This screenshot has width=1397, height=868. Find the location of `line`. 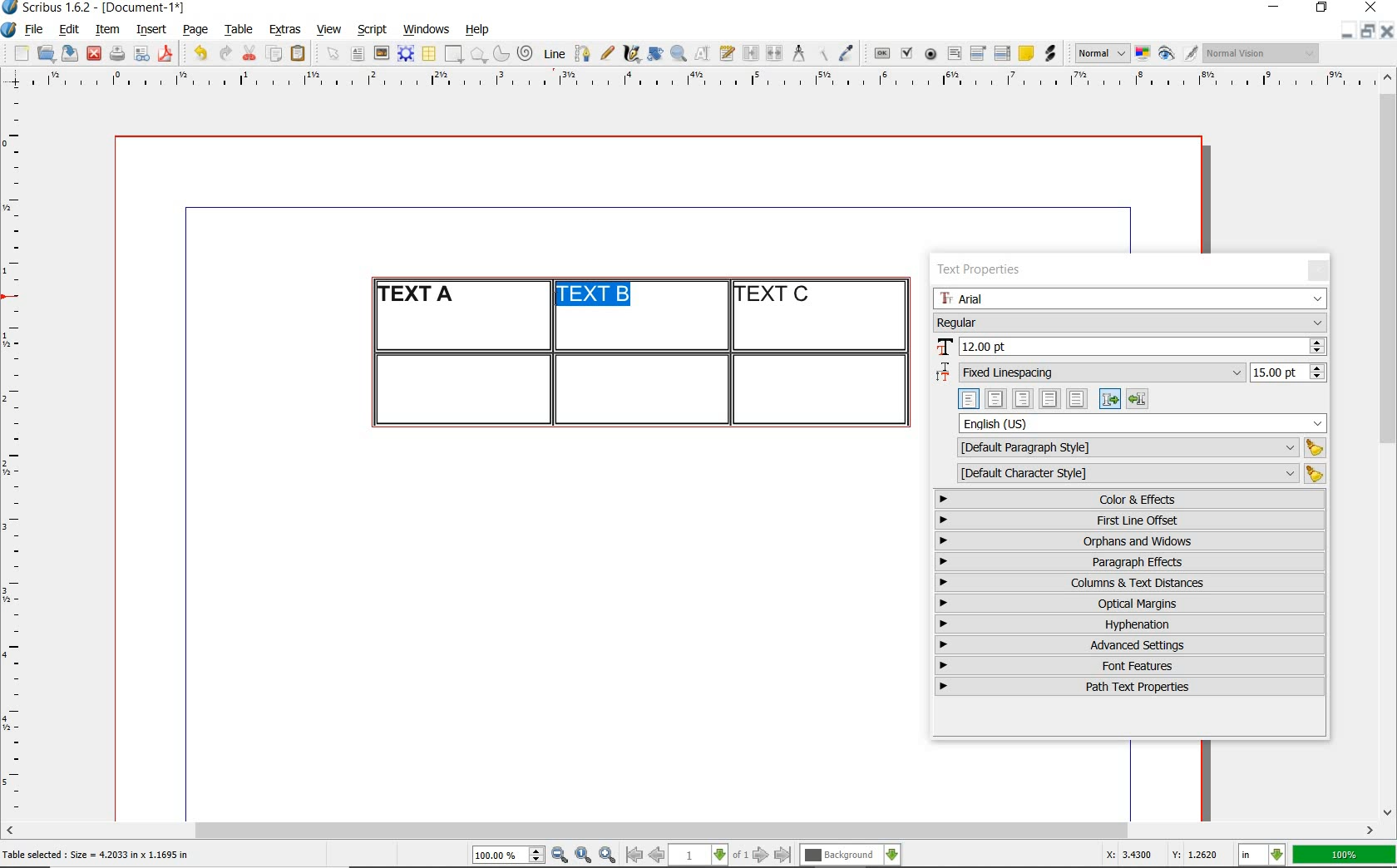

line is located at coordinates (552, 53).